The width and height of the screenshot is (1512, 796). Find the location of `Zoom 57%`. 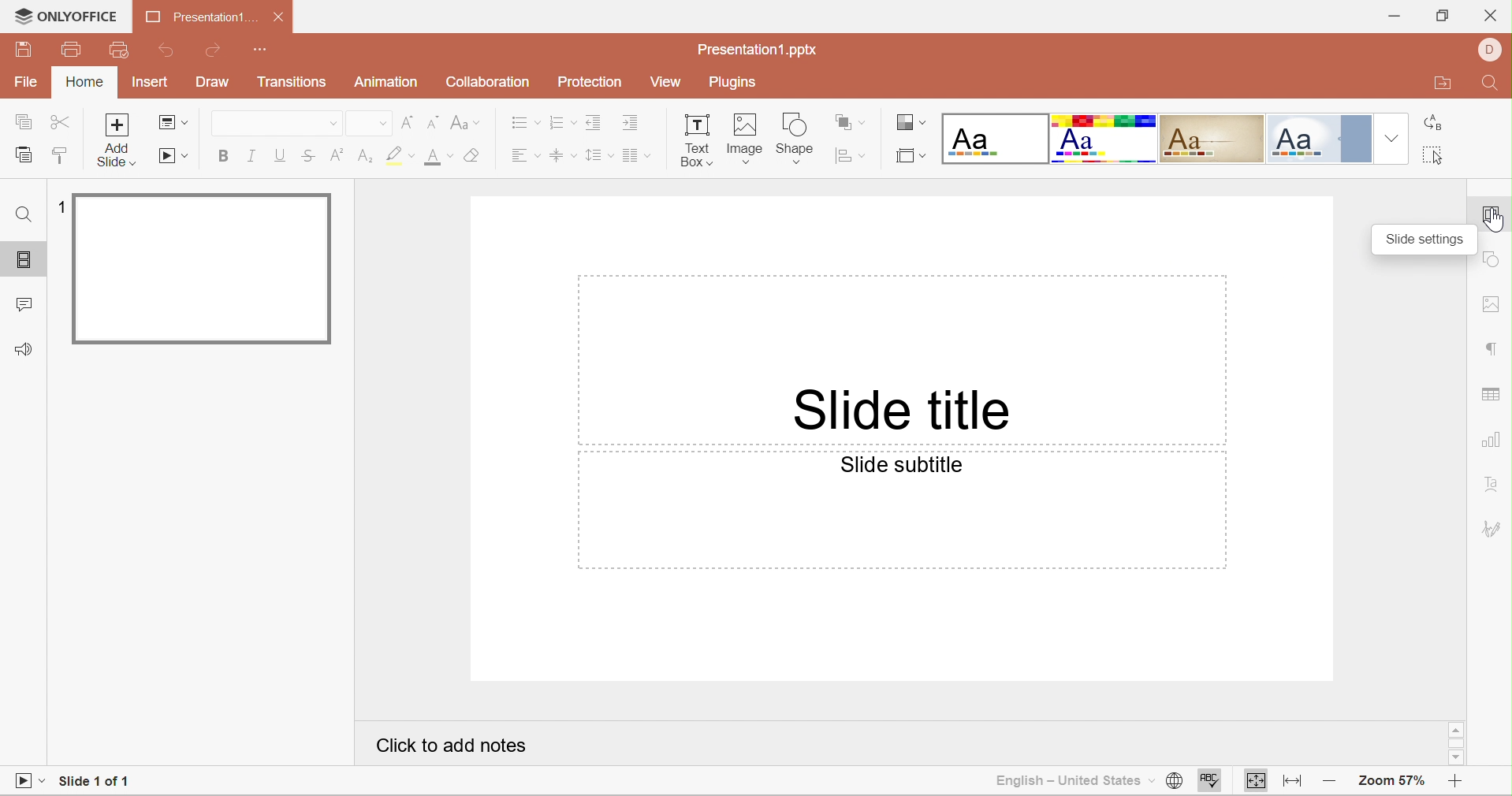

Zoom 57% is located at coordinates (1391, 781).